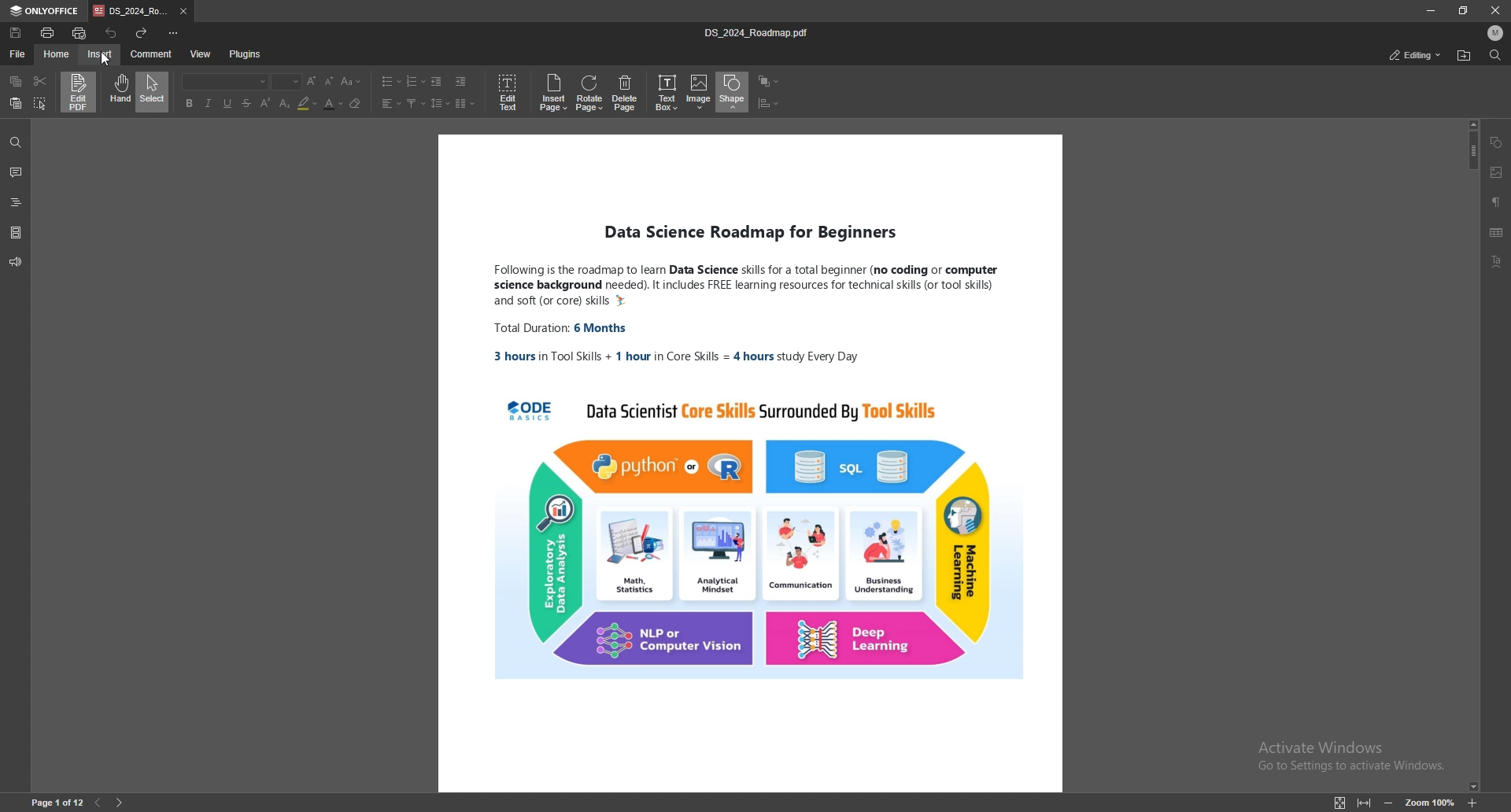 This screenshot has width=1511, height=812. Describe the element at coordinates (1403, 54) in the screenshot. I see `commenting` at that location.